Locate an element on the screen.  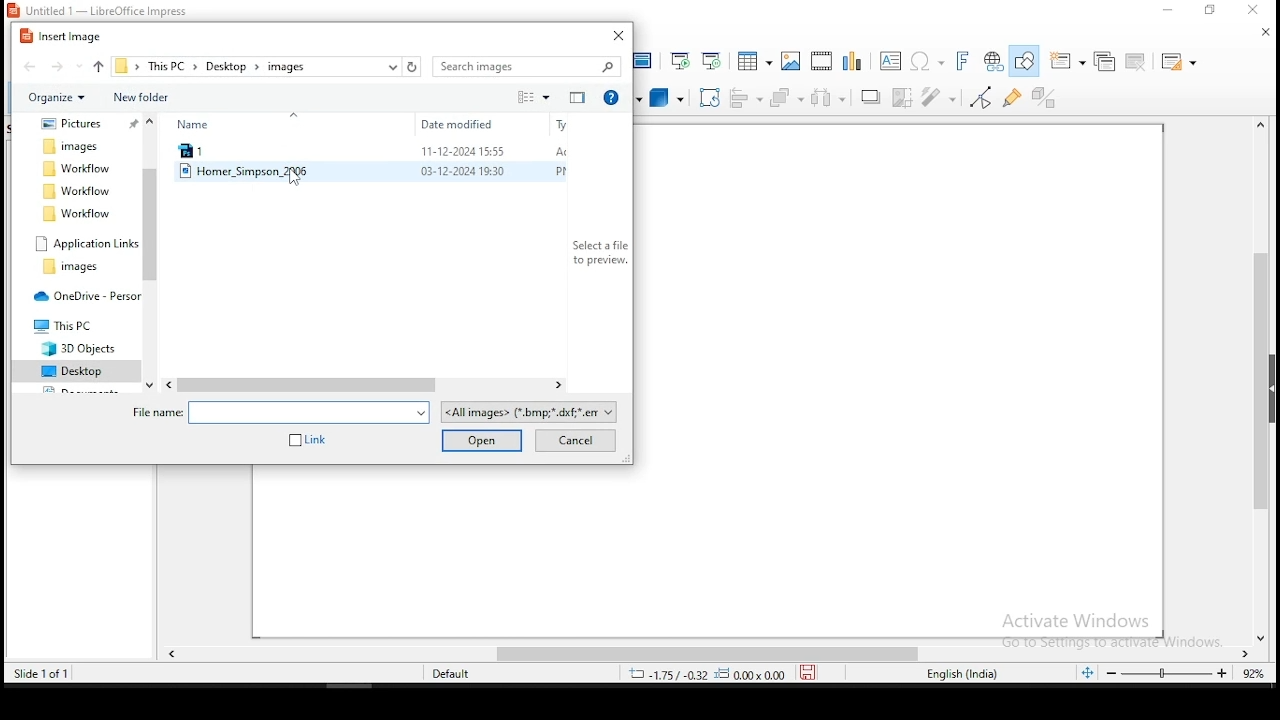
scoll left is located at coordinates (172, 655).